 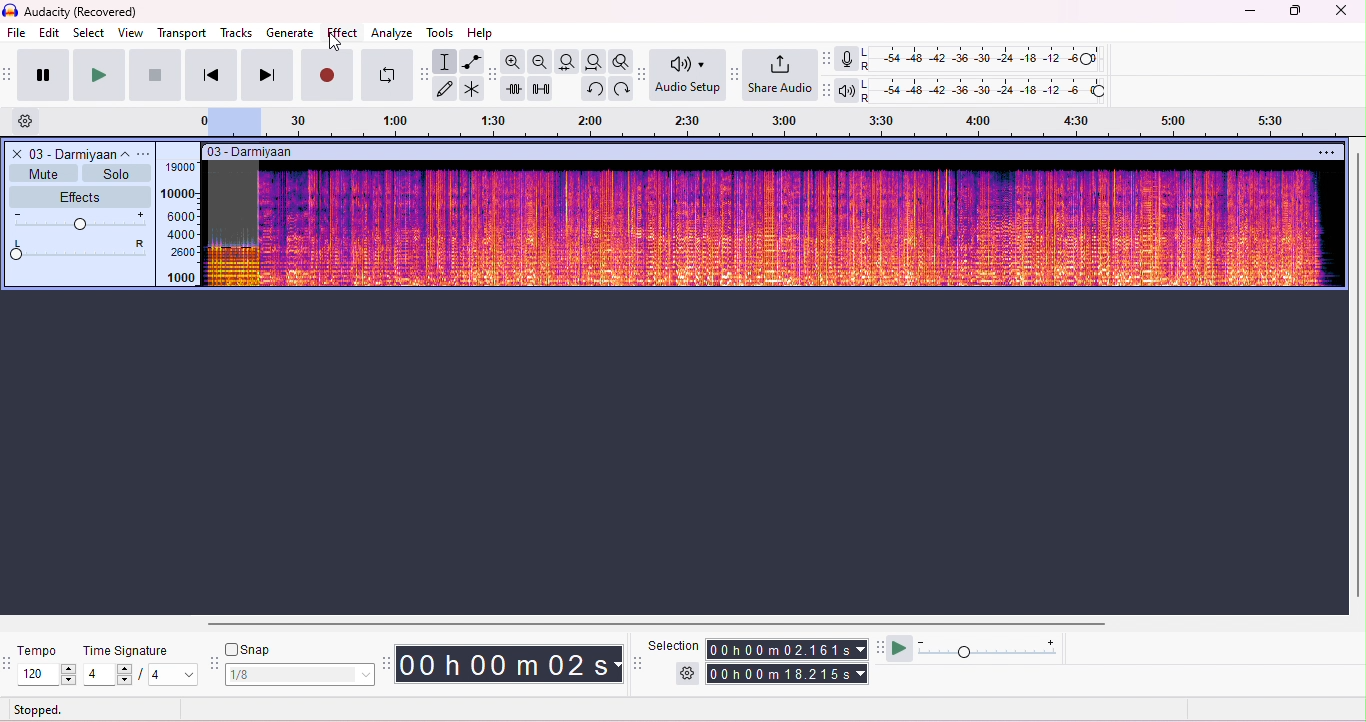 What do you see at coordinates (237, 34) in the screenshot?
I see `tracks` at bounding box center [237, 34].